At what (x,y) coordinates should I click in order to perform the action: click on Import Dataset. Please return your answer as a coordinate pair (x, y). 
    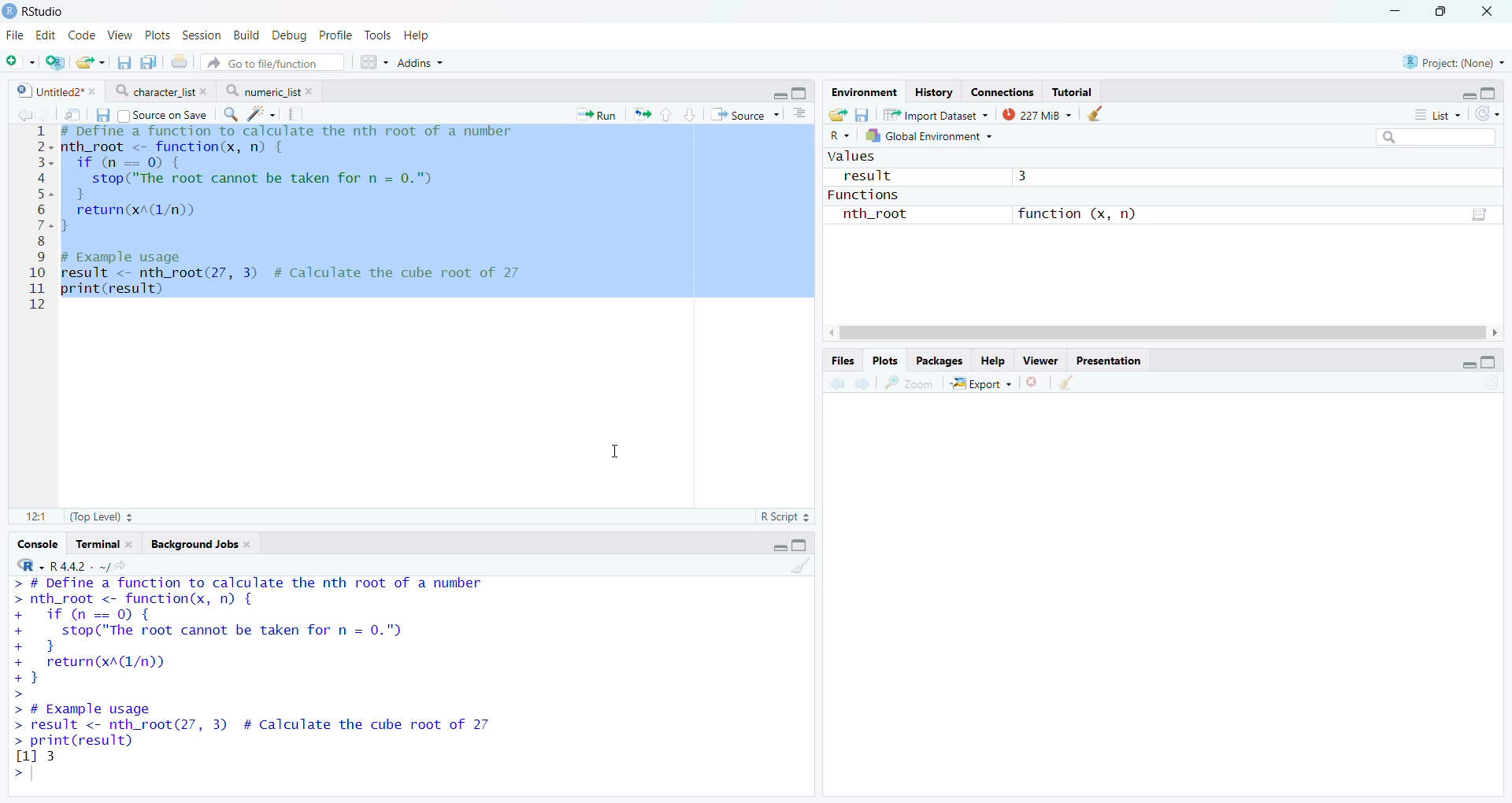
    Looking at the image, I should click on (936, 114).